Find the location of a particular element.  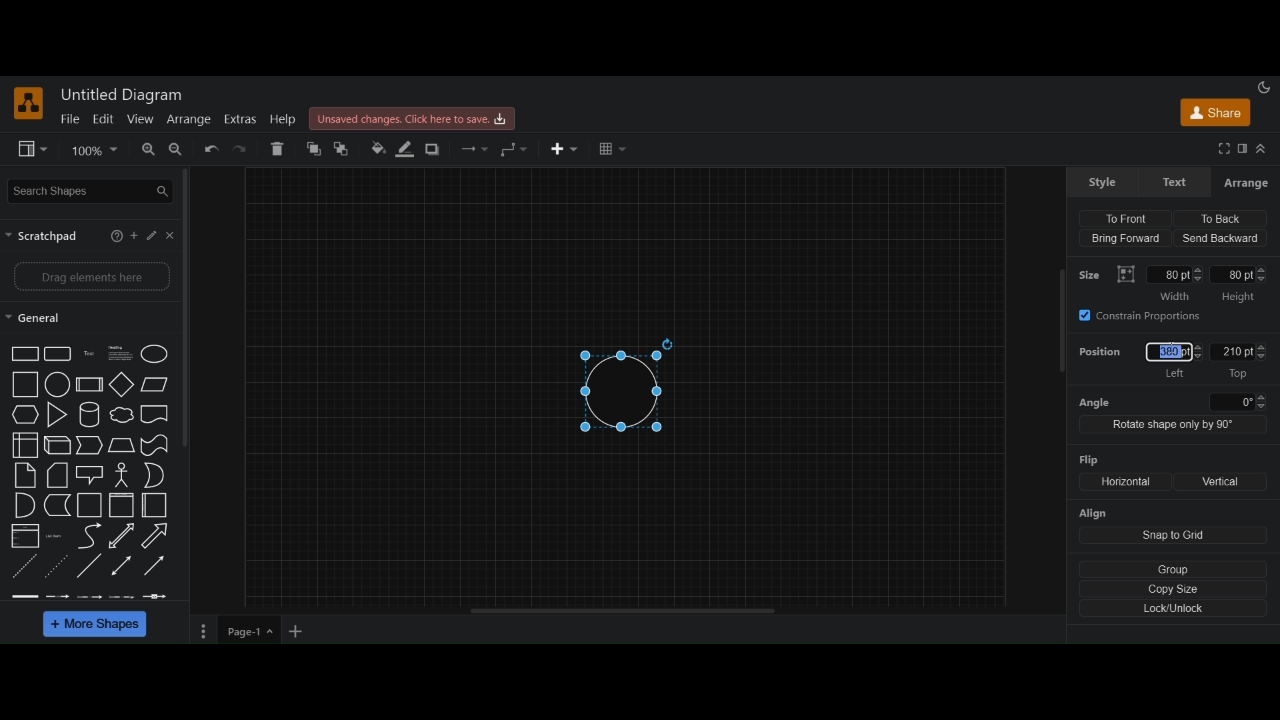

zoom is located at coordinates (95, 150).